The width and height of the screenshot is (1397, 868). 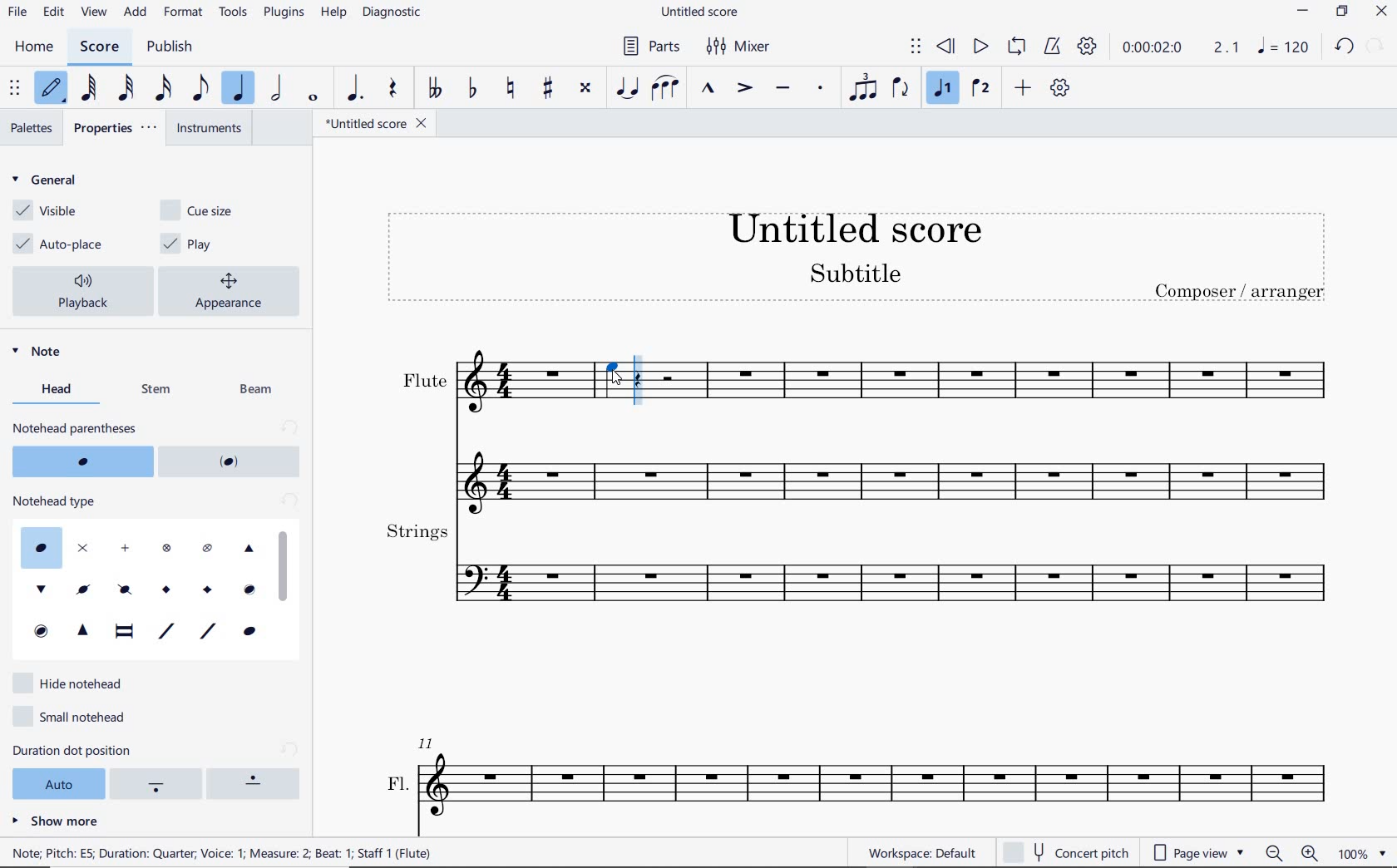 What do you see at coordinates (62, 242) in the screenshot?
I see `AUTO-PLACE` at bounding box center [62, 242].